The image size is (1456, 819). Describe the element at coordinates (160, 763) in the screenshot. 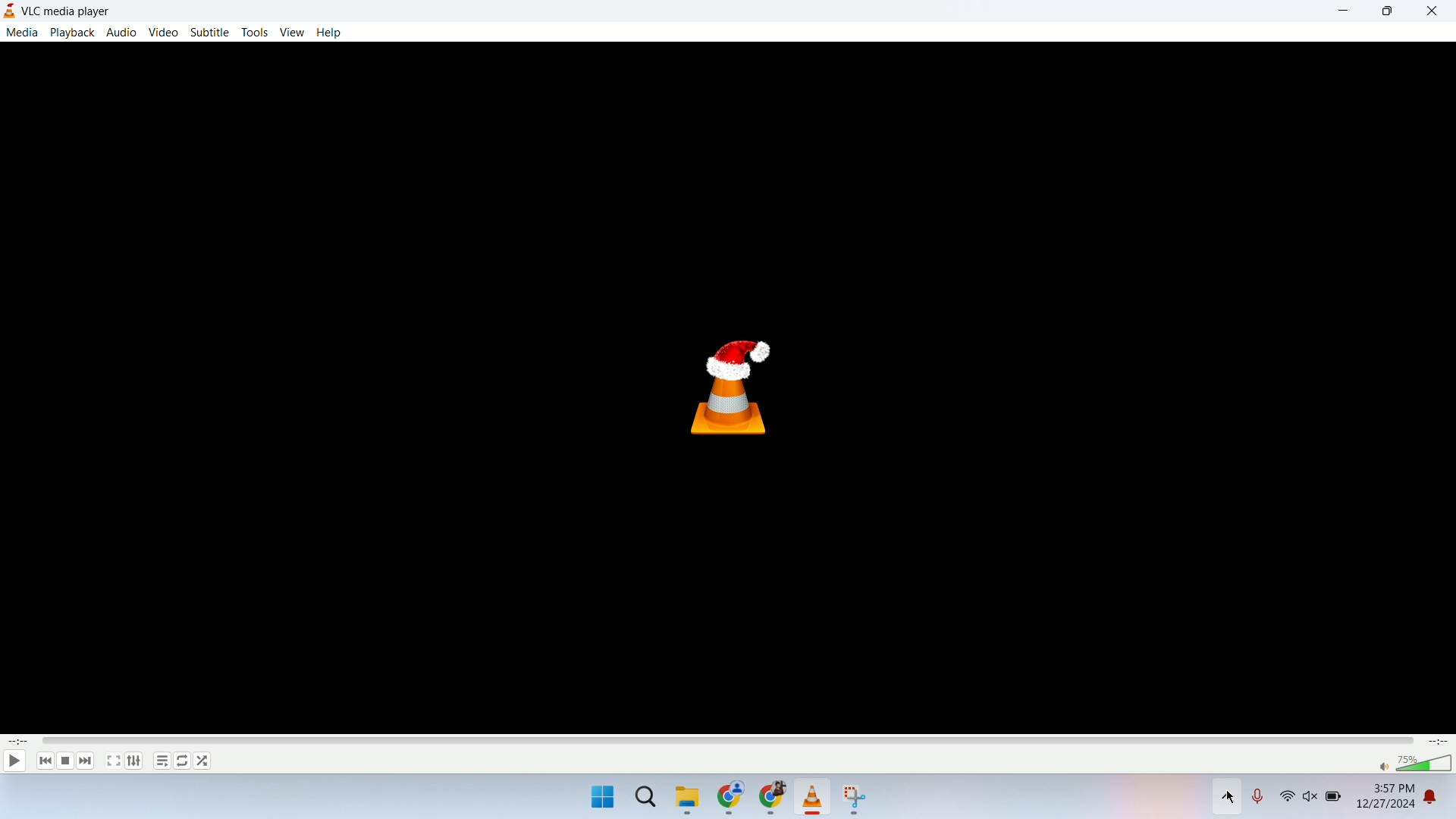

I see `playlist` at that location.